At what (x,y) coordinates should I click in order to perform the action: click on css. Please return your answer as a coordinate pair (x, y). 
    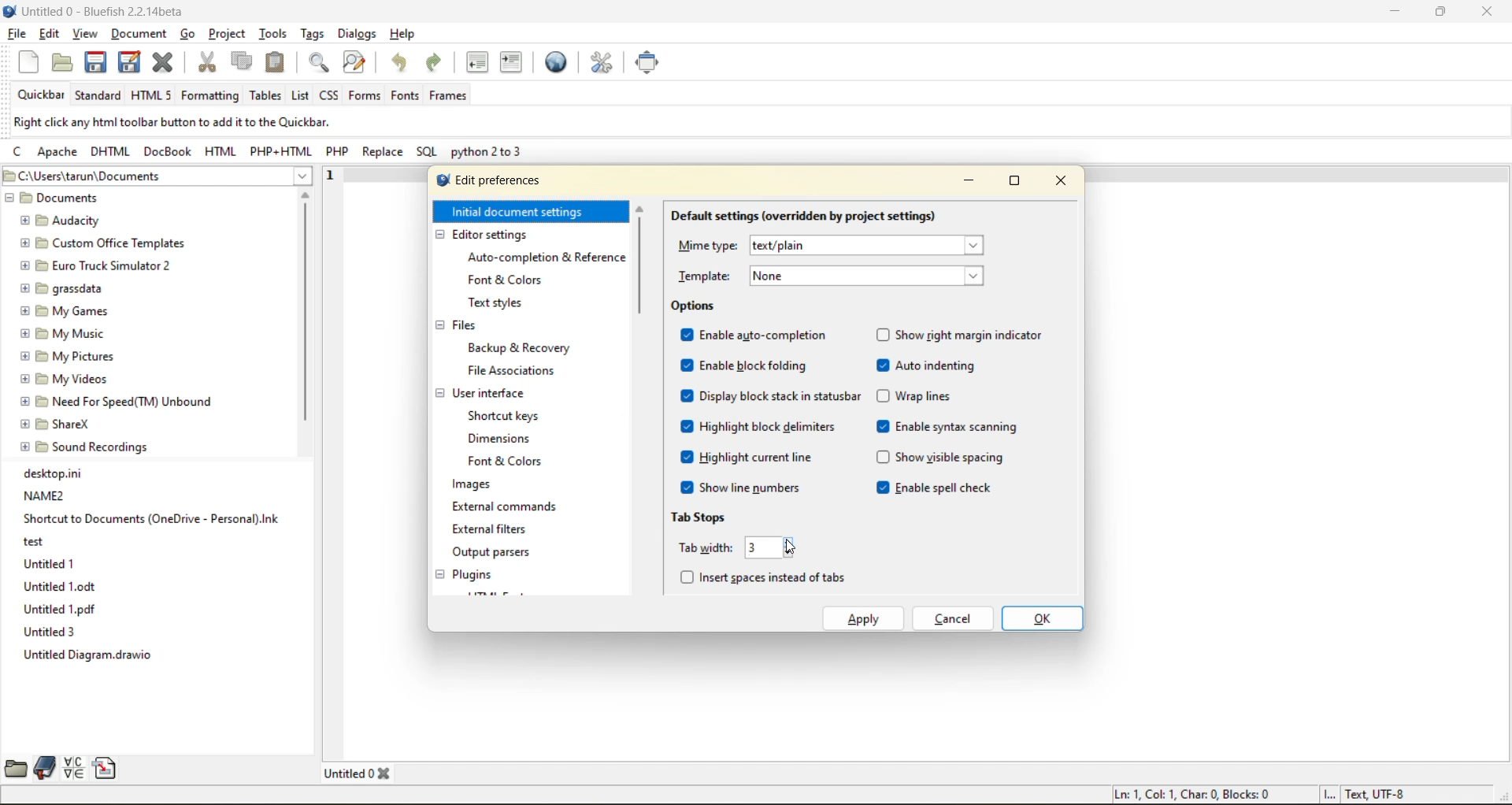
    Looking at the image, I should click on (331, 93).